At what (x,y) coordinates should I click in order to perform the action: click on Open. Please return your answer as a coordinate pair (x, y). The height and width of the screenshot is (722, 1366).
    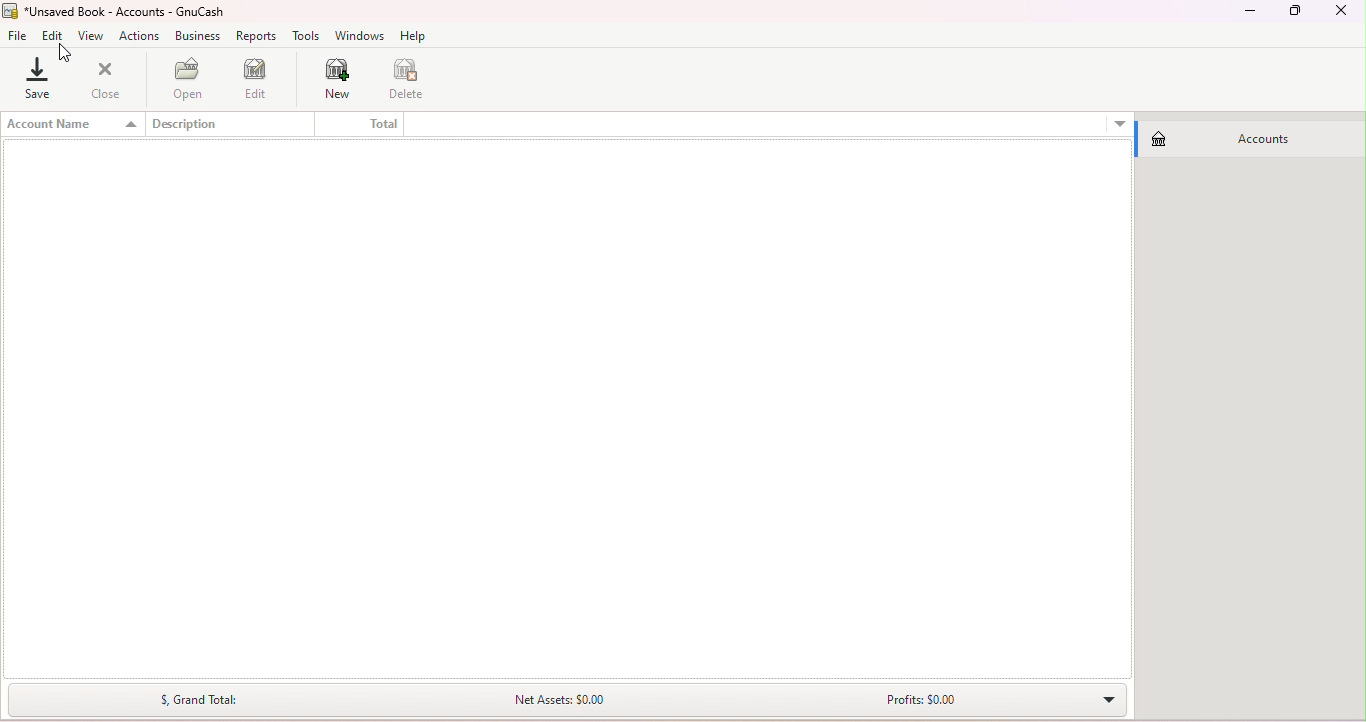
    Looking at the image, I should click on (189, 82).